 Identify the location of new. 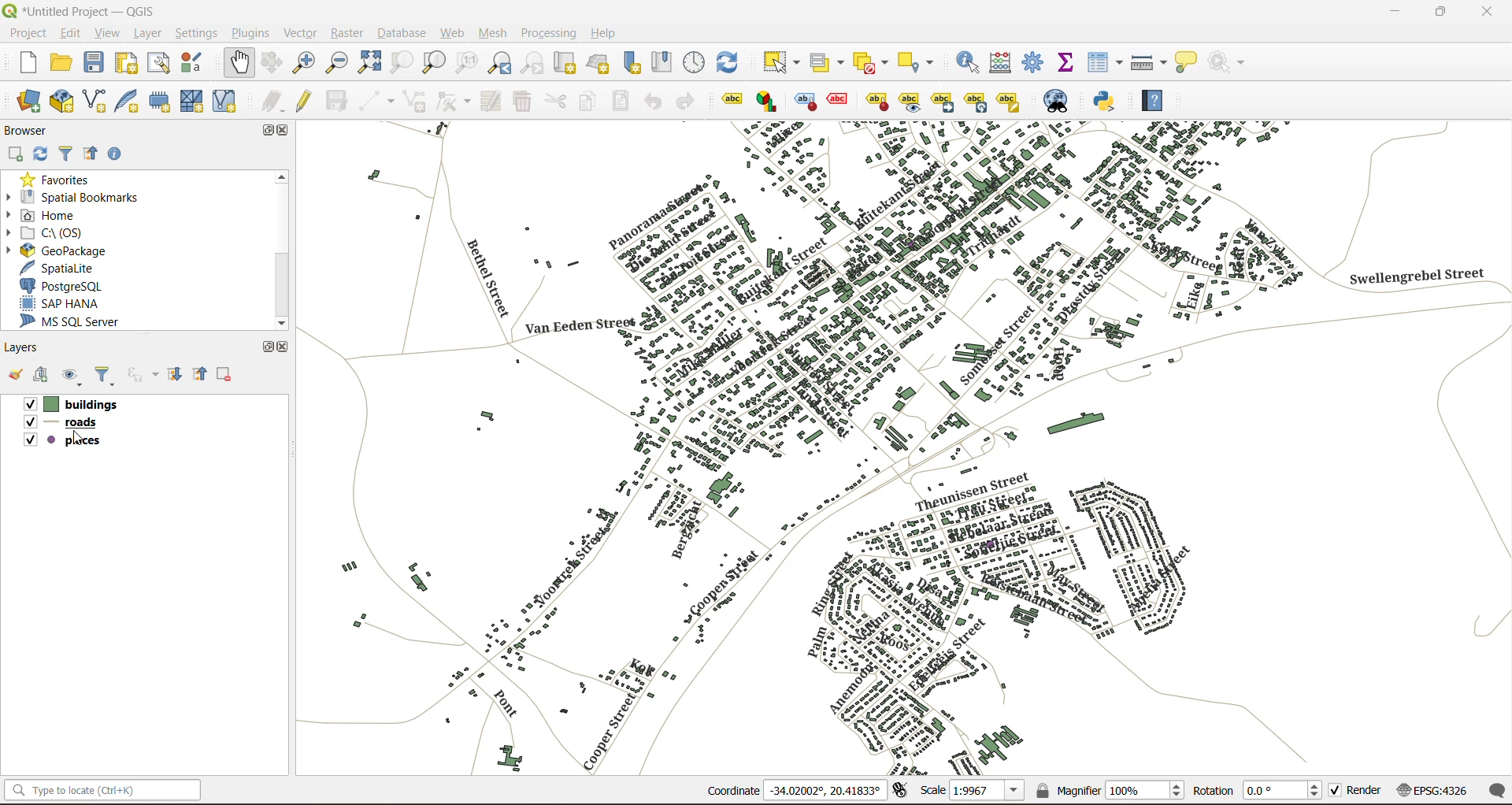
(22, 63).